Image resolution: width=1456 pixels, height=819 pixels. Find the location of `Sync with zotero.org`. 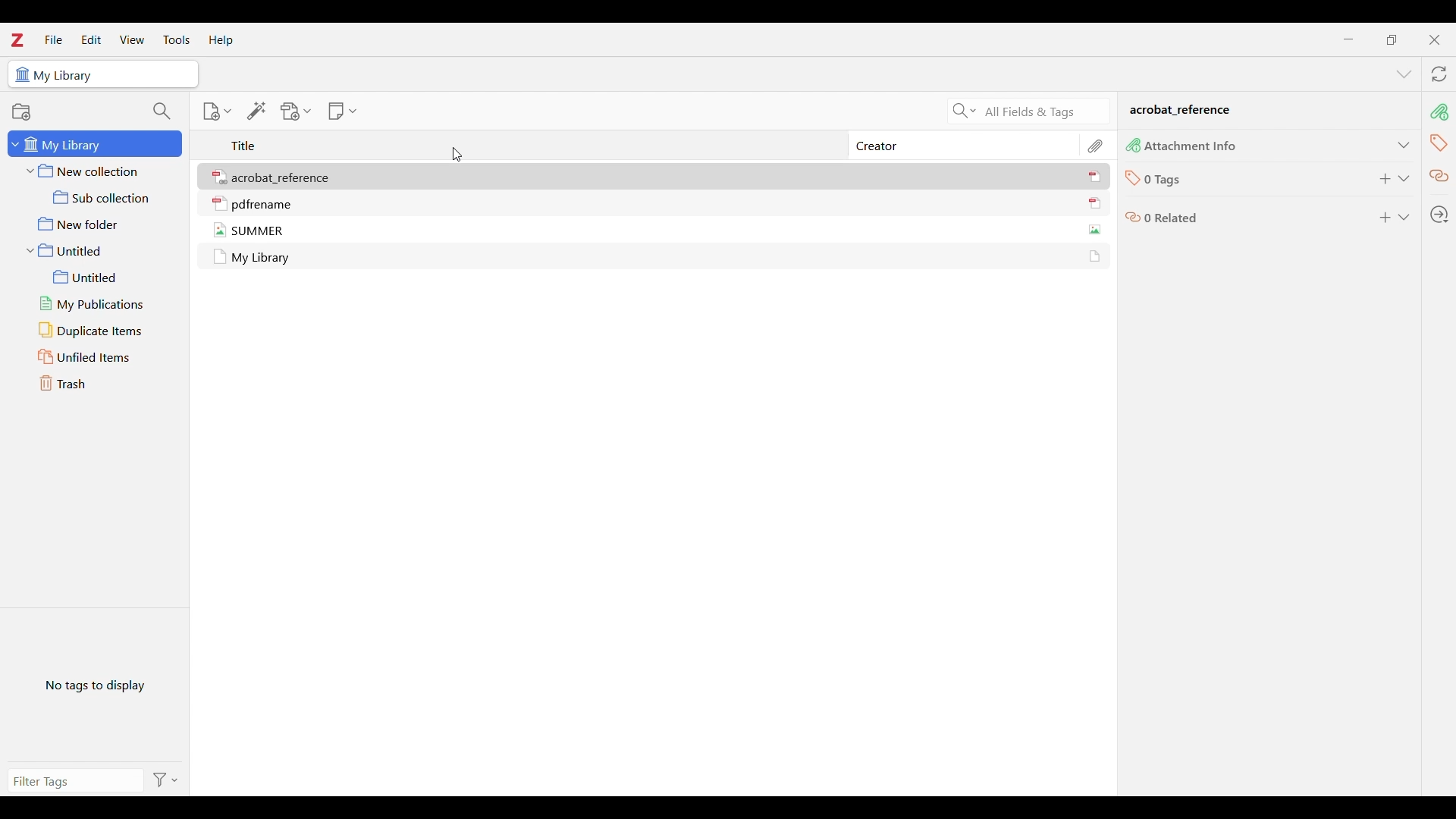

Sync with zotero.org is located at coordinates (1439, 74).